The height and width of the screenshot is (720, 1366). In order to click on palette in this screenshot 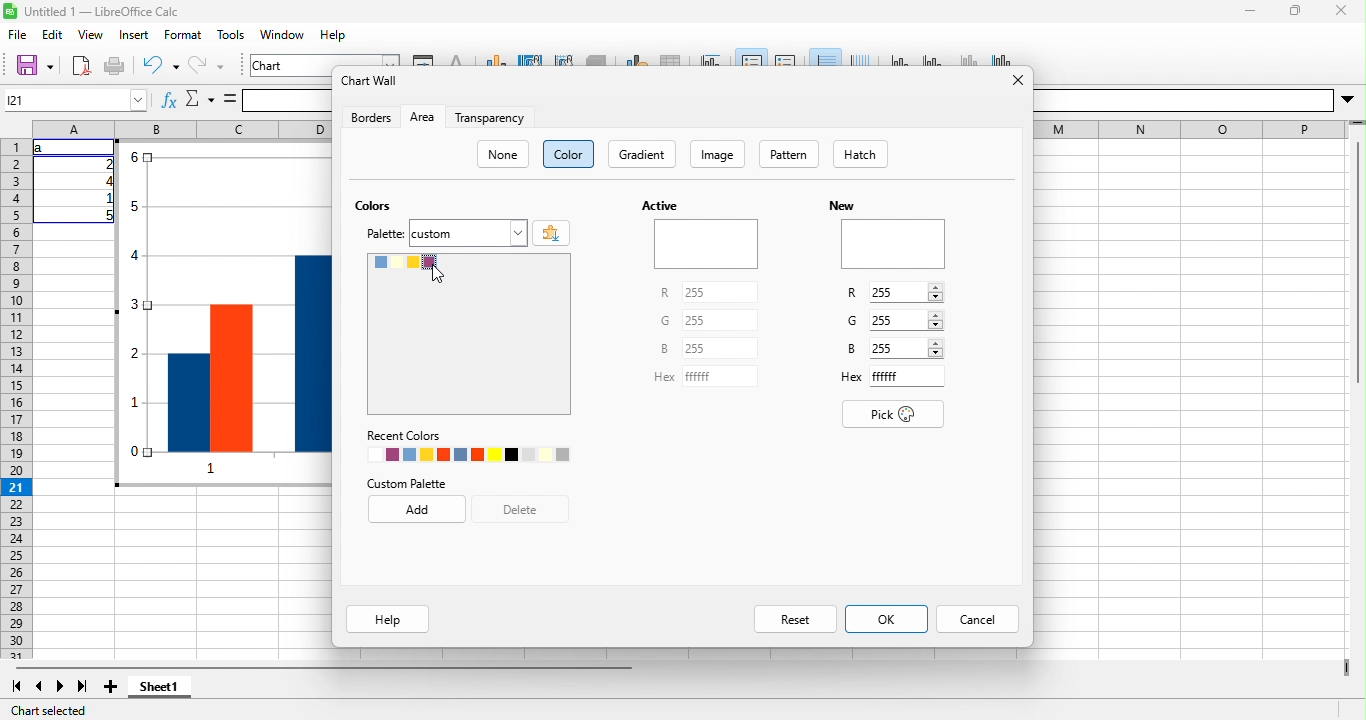, I will do `click(385, 234)`.